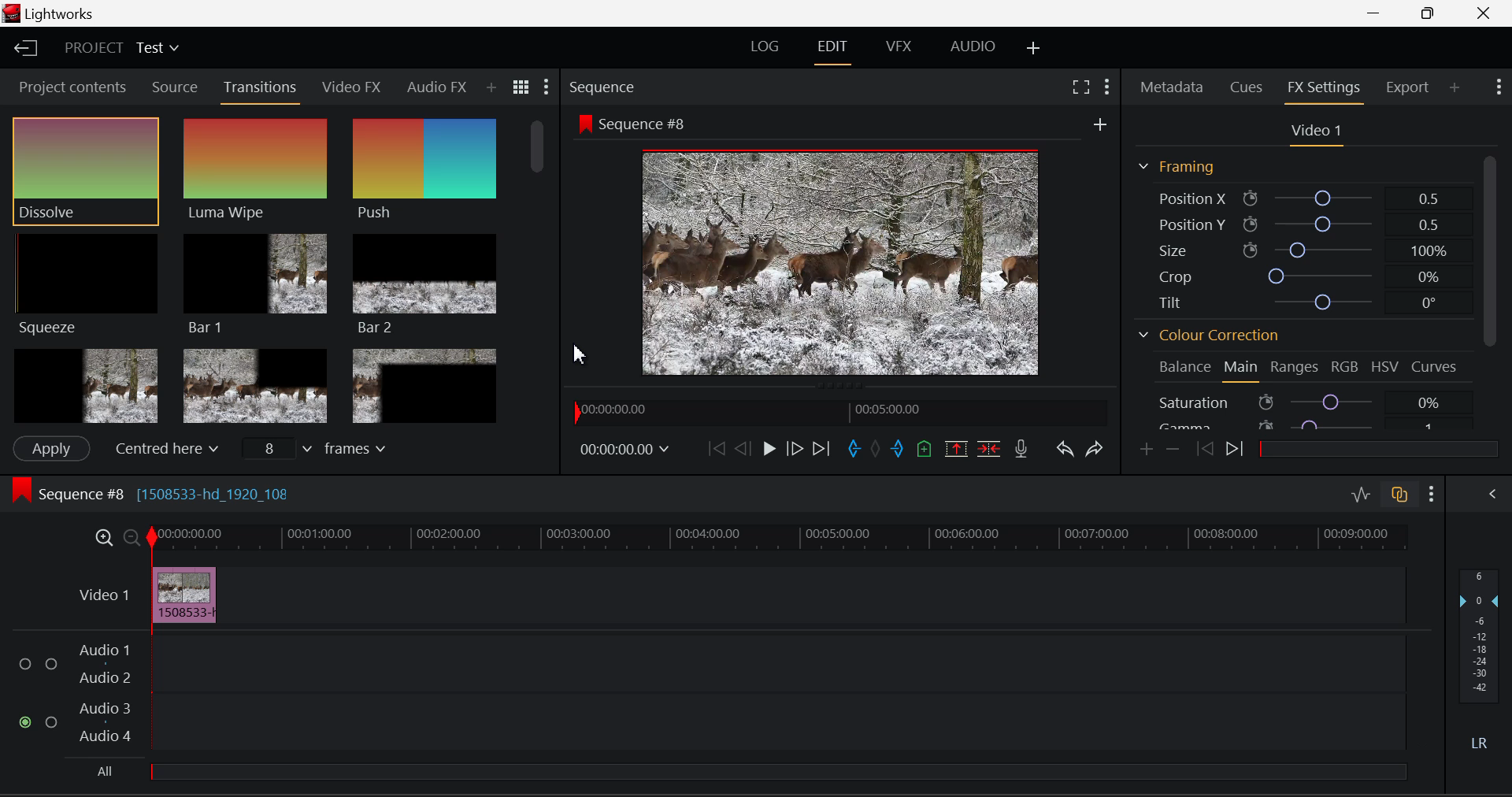 This screenshot has height=797, width=1512. Describe the element at coordinates (101, 537) in the screenshot. I see `Timeline Zoom In` at that location.